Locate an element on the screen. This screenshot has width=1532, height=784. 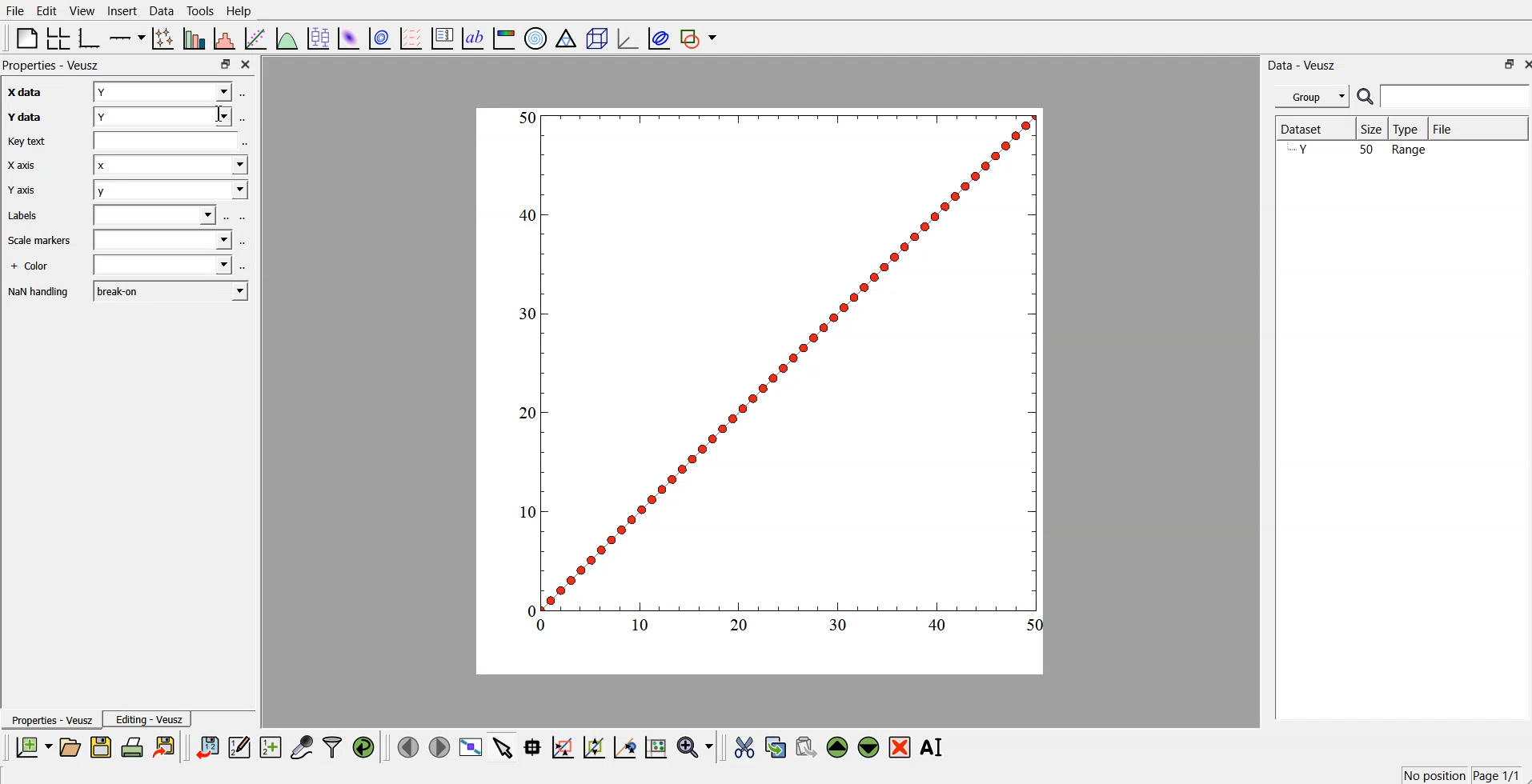
Properties - Veusz is located at coordinates (53, 720).